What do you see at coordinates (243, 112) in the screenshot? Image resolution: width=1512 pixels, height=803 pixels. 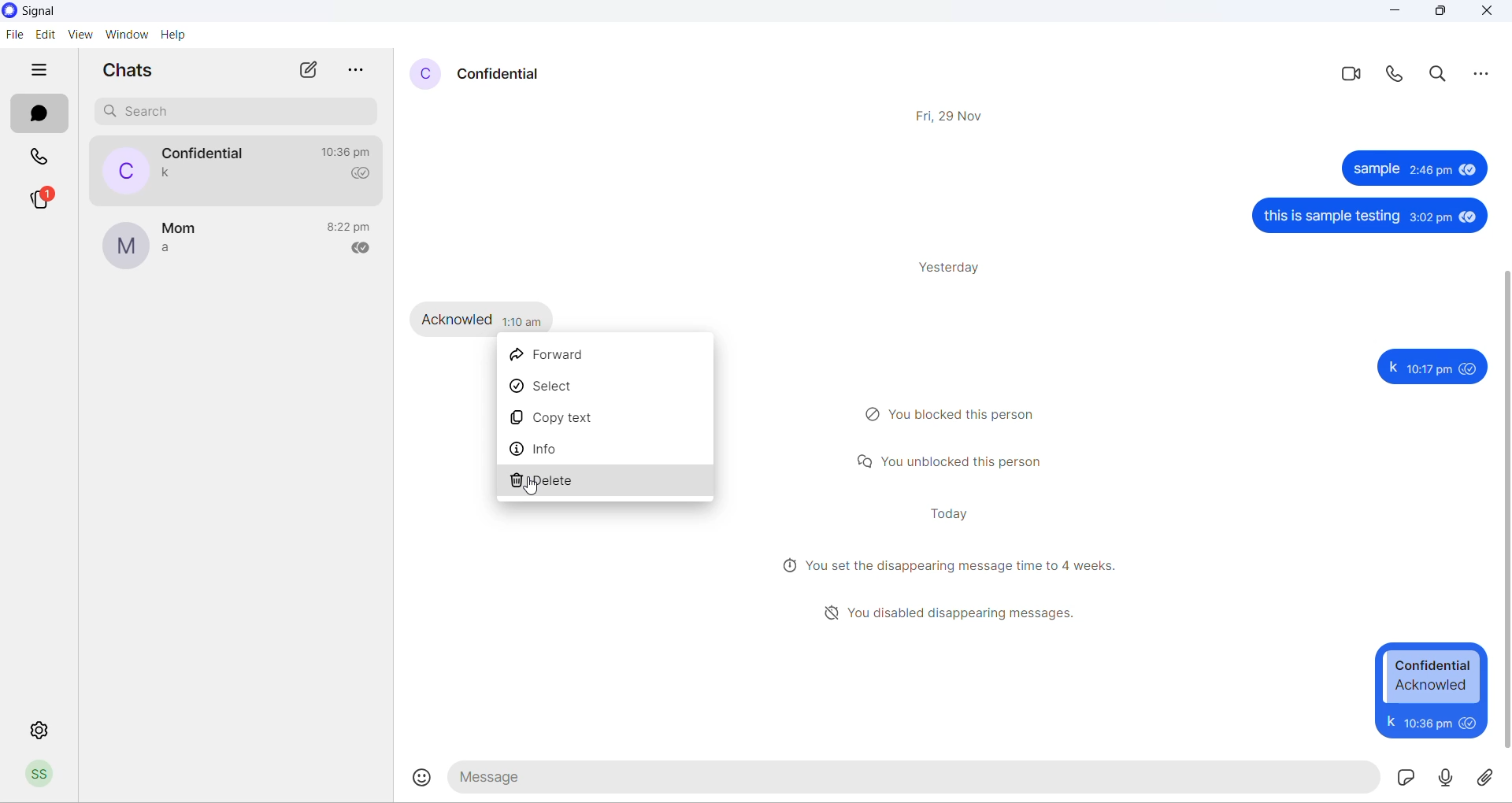 I see `search chats` at bounding box center [243, 112].